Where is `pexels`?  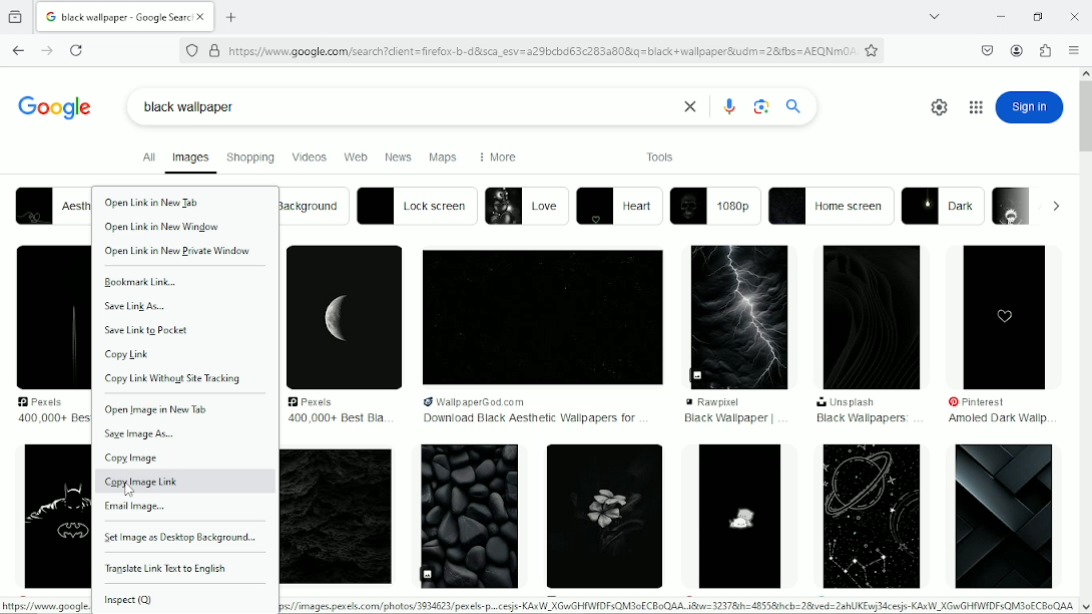 pexels is located at coordinates (316, 401).